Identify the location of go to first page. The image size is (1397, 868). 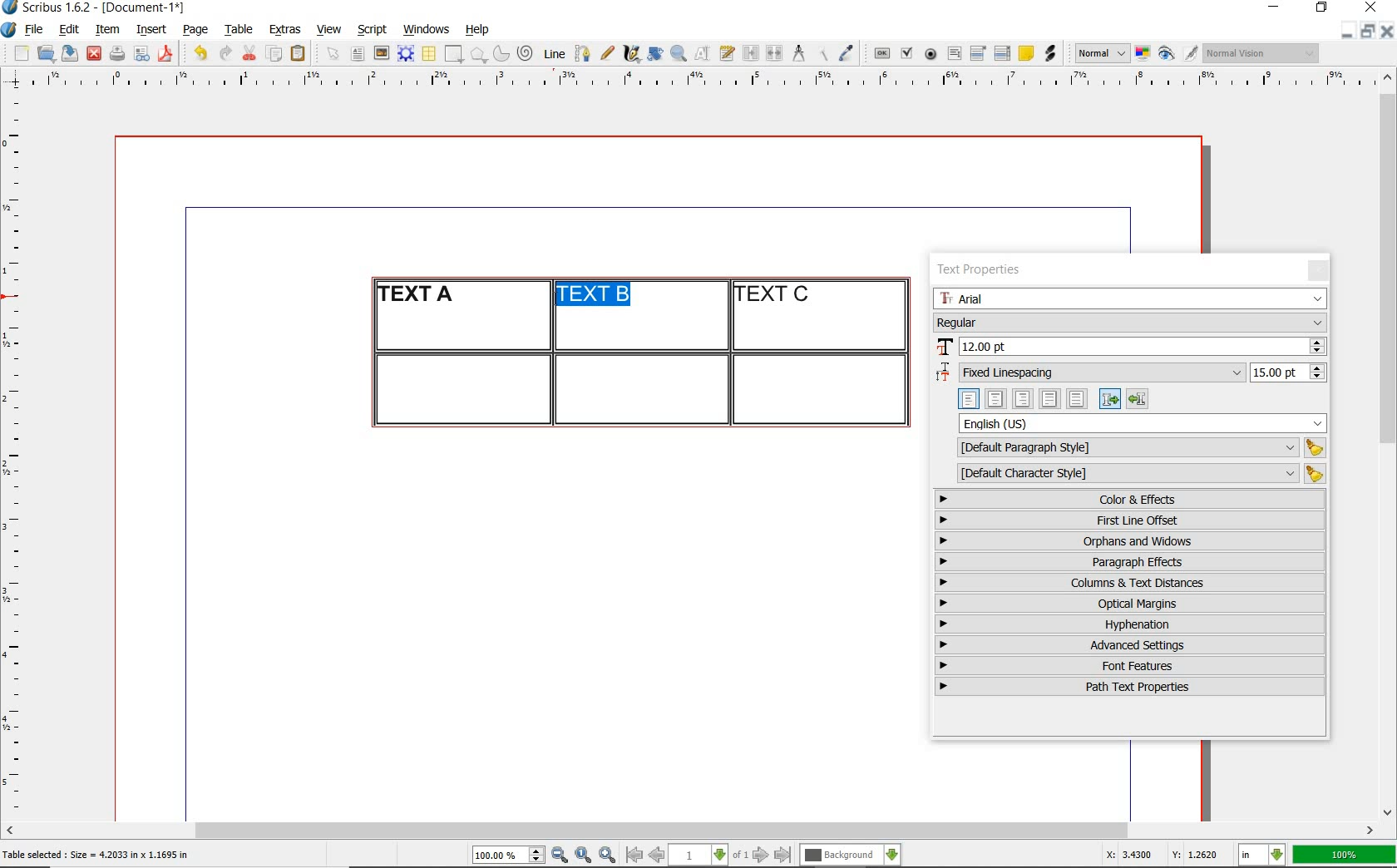
(633, 855).